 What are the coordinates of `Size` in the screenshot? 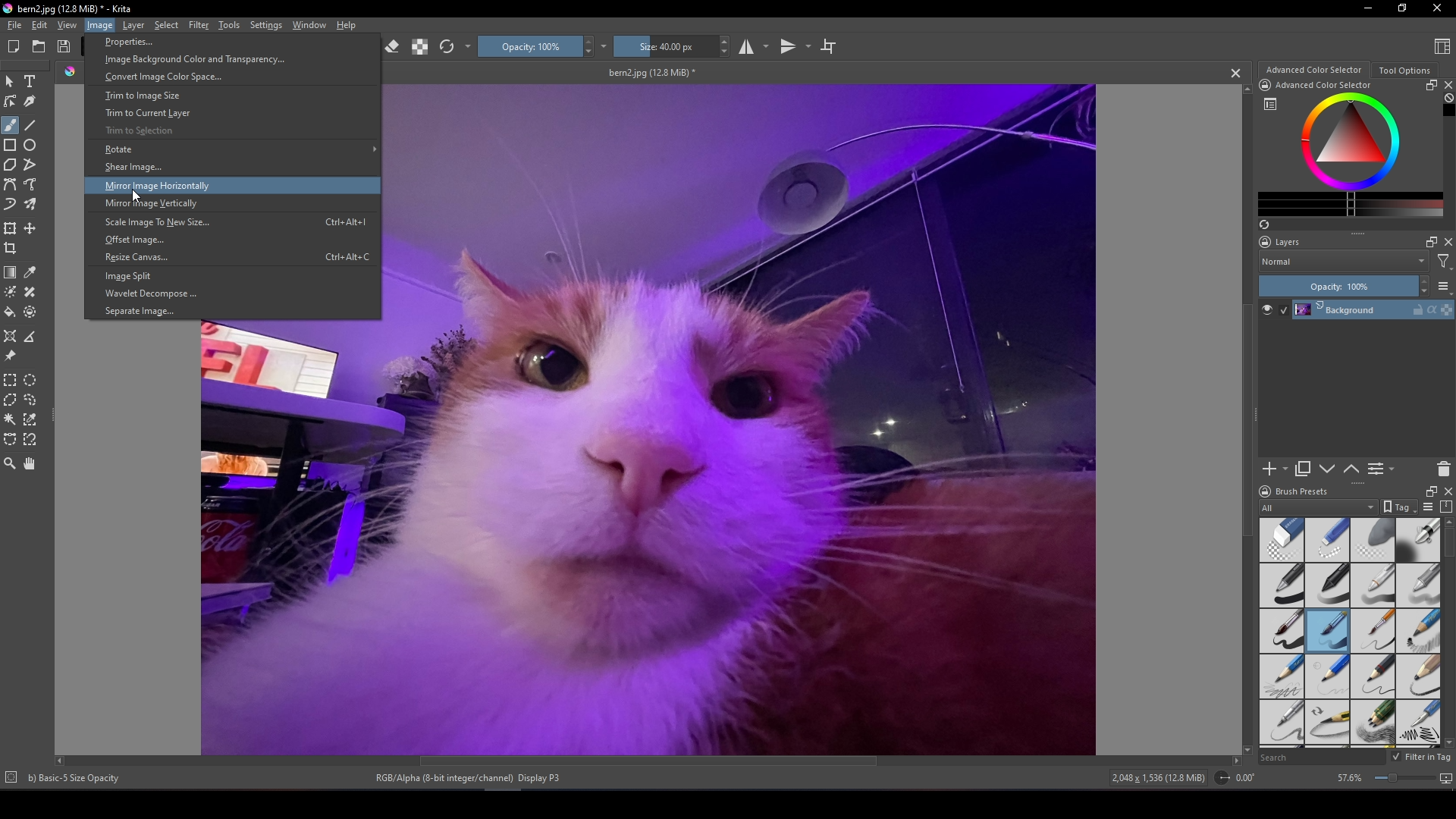 It's located at (674, 46).